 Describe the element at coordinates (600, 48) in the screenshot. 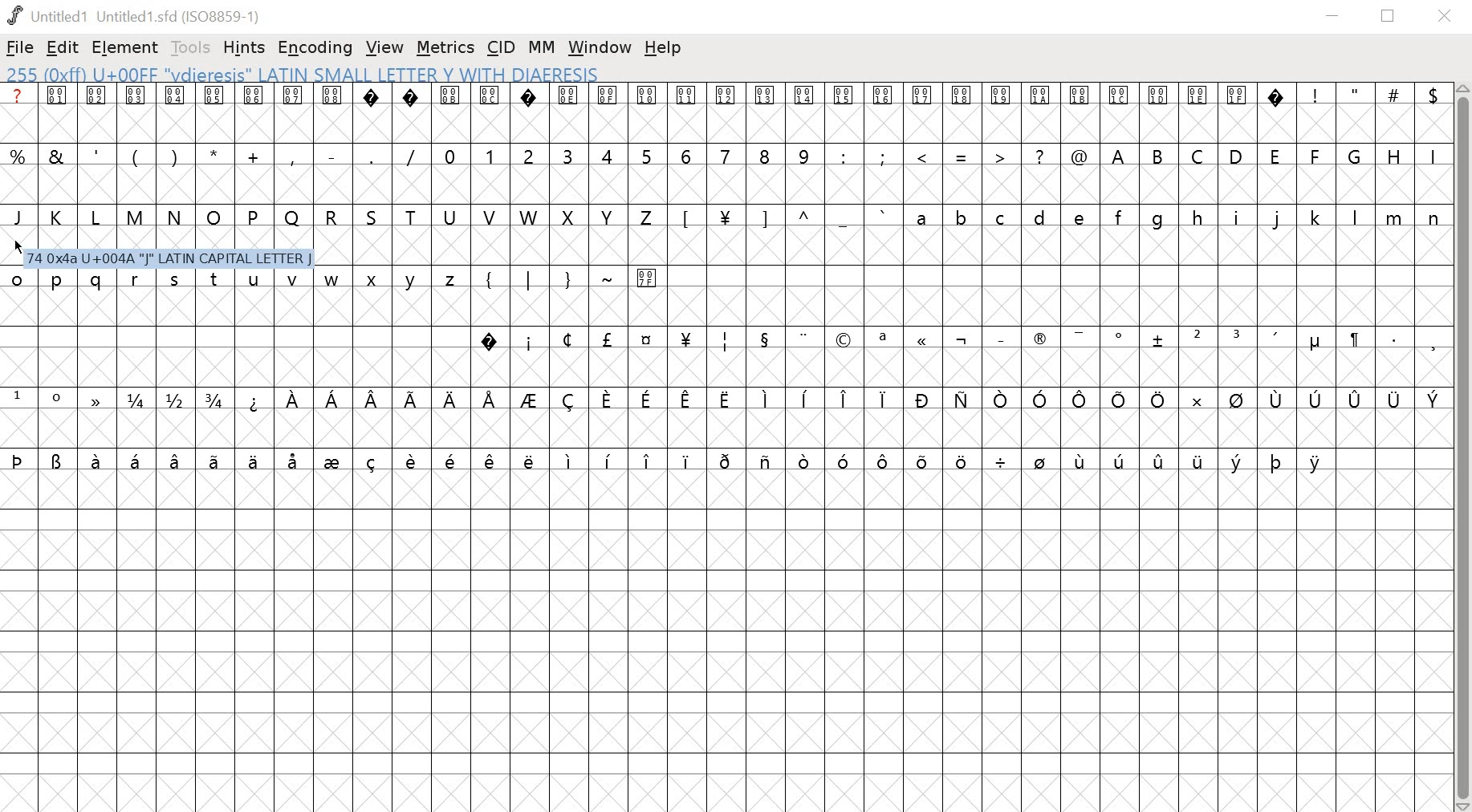

I see `window` at that location.